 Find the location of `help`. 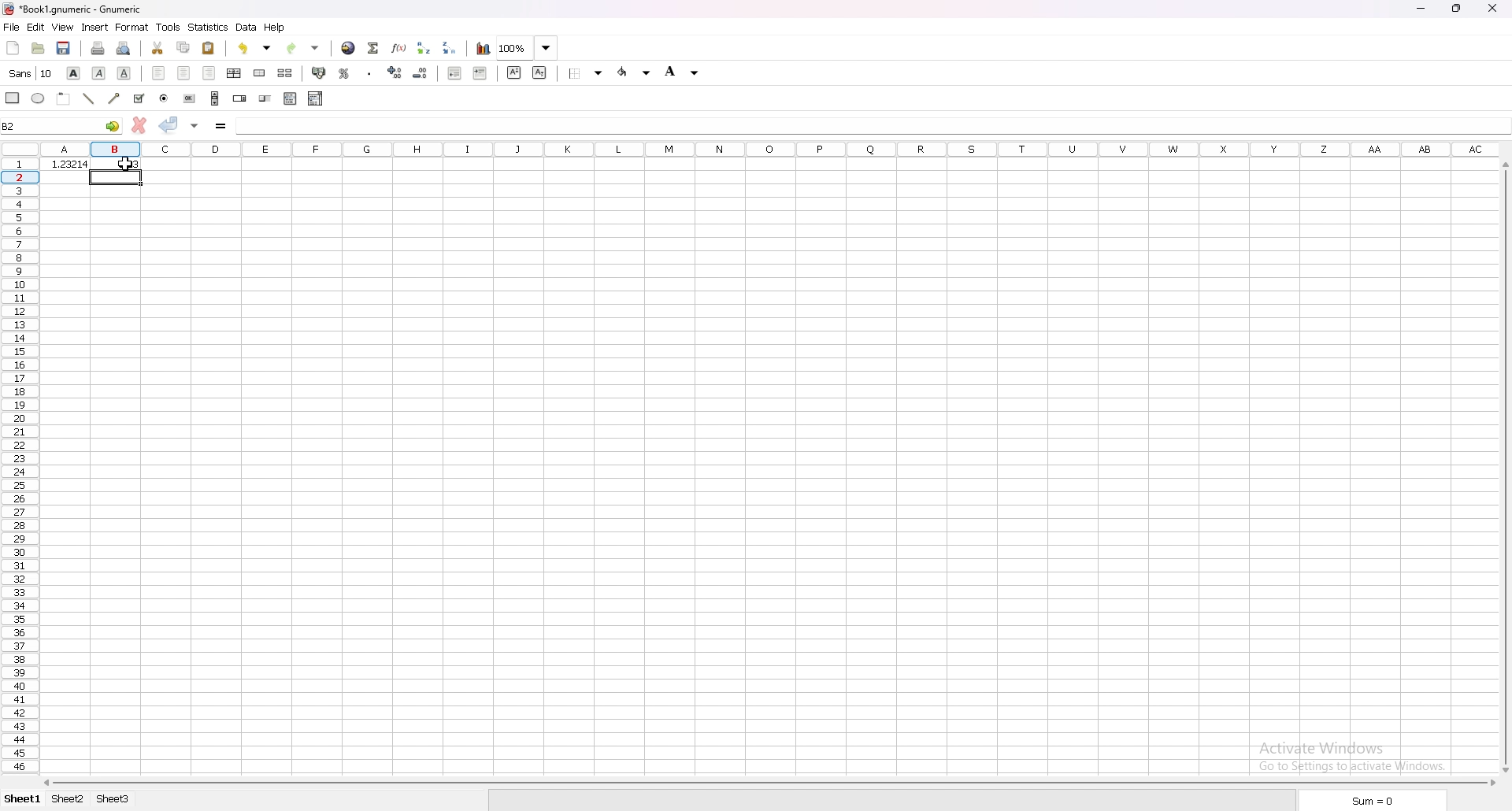

help is located at coordinates (276, 28).